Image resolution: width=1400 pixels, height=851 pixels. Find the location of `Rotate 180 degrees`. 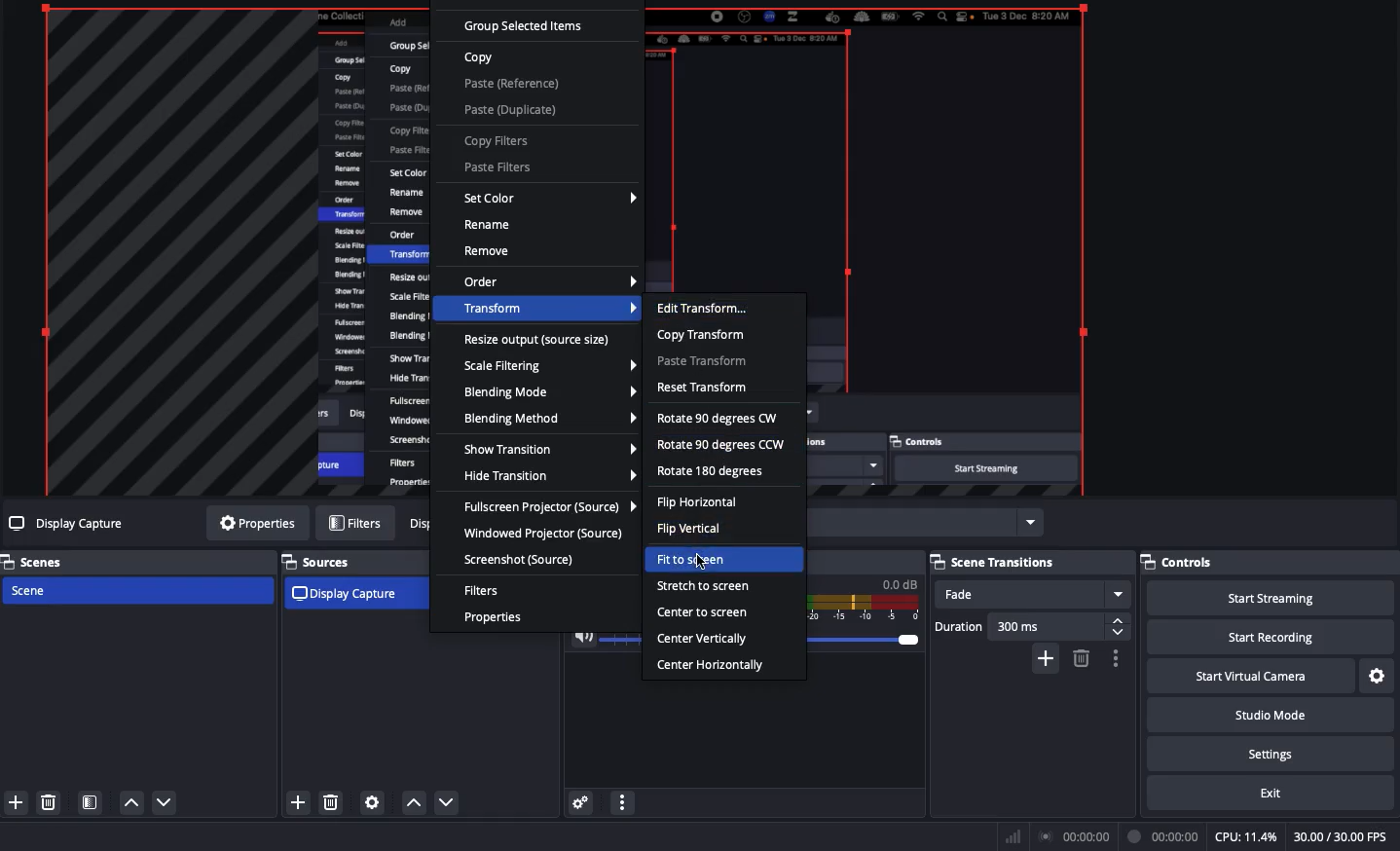

Rotate 180 degrees is located at coordinates (713, 472).